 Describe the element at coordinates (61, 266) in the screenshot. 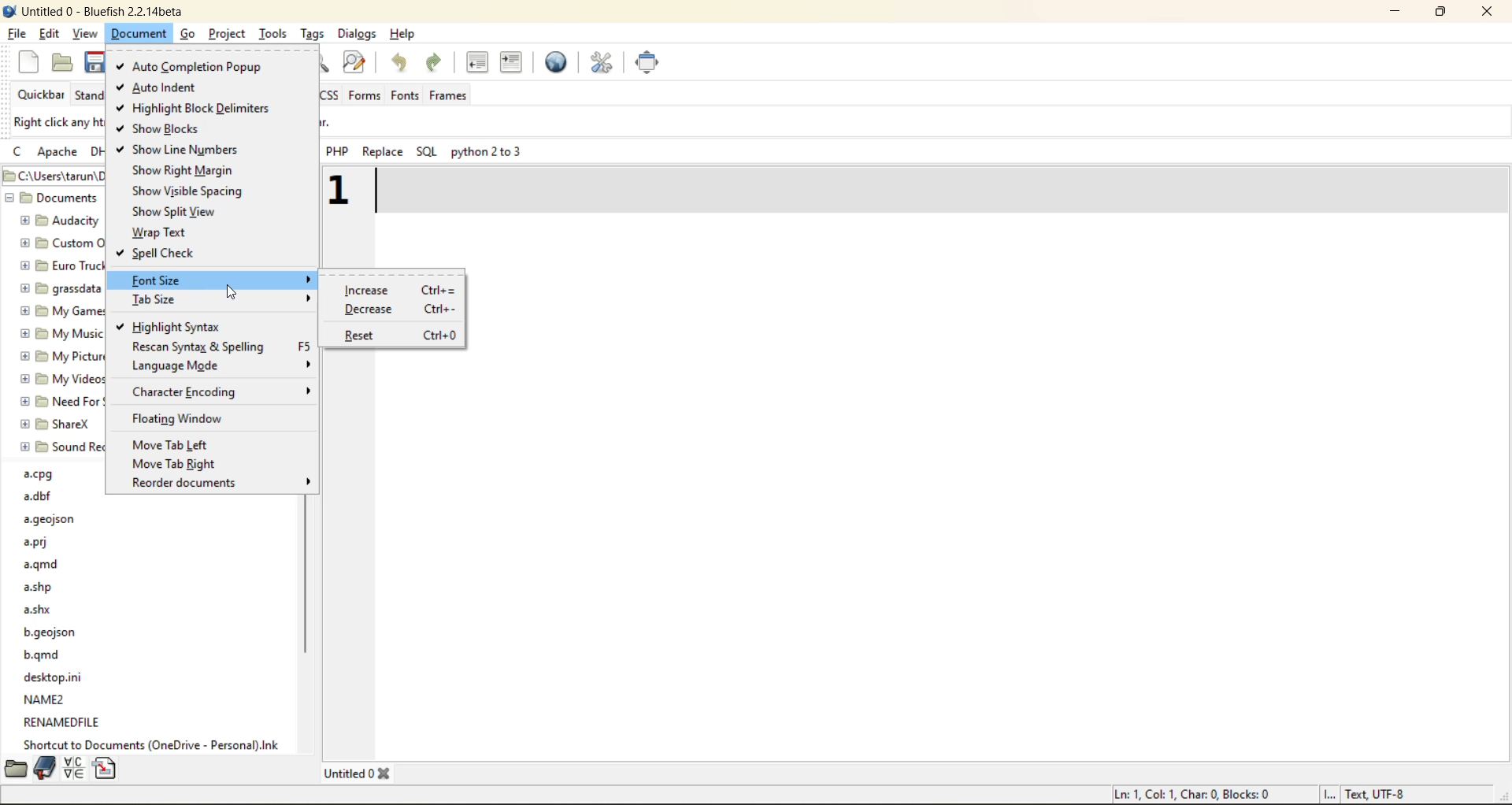

I see `euro truck simulator 2` at that location.